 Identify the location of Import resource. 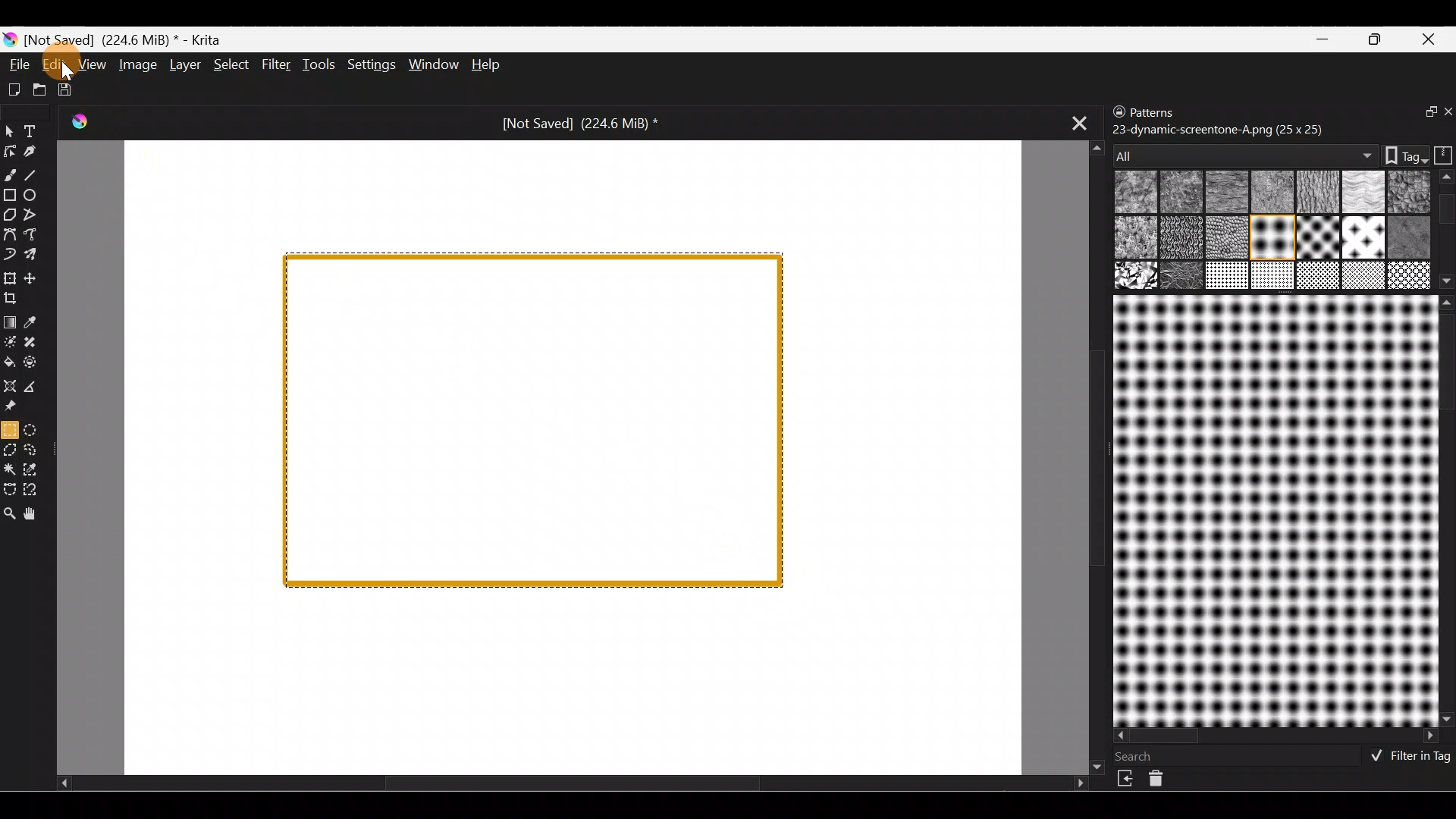
(1127, 779).